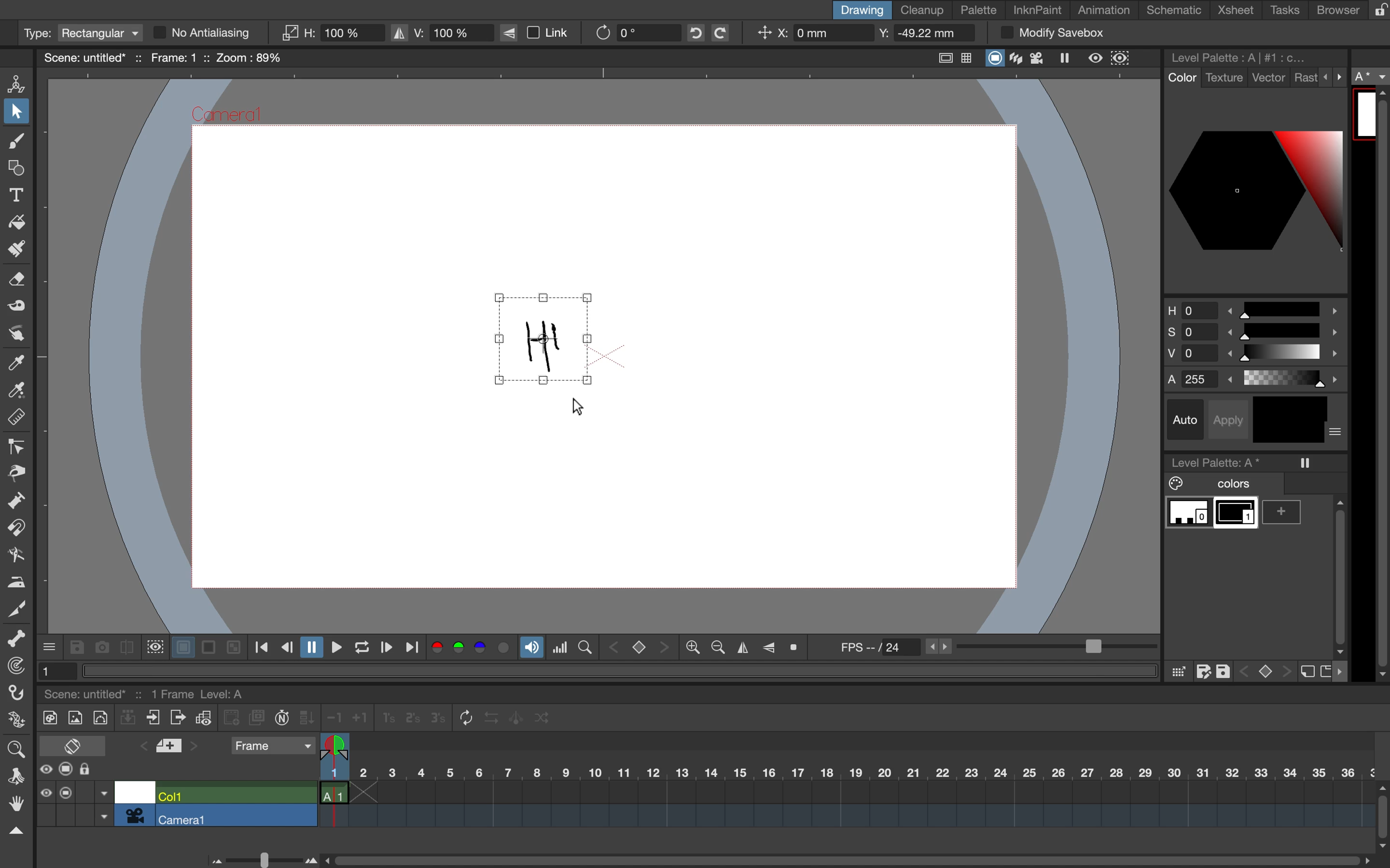  I want to click on moved drawing, so click(547, 340).